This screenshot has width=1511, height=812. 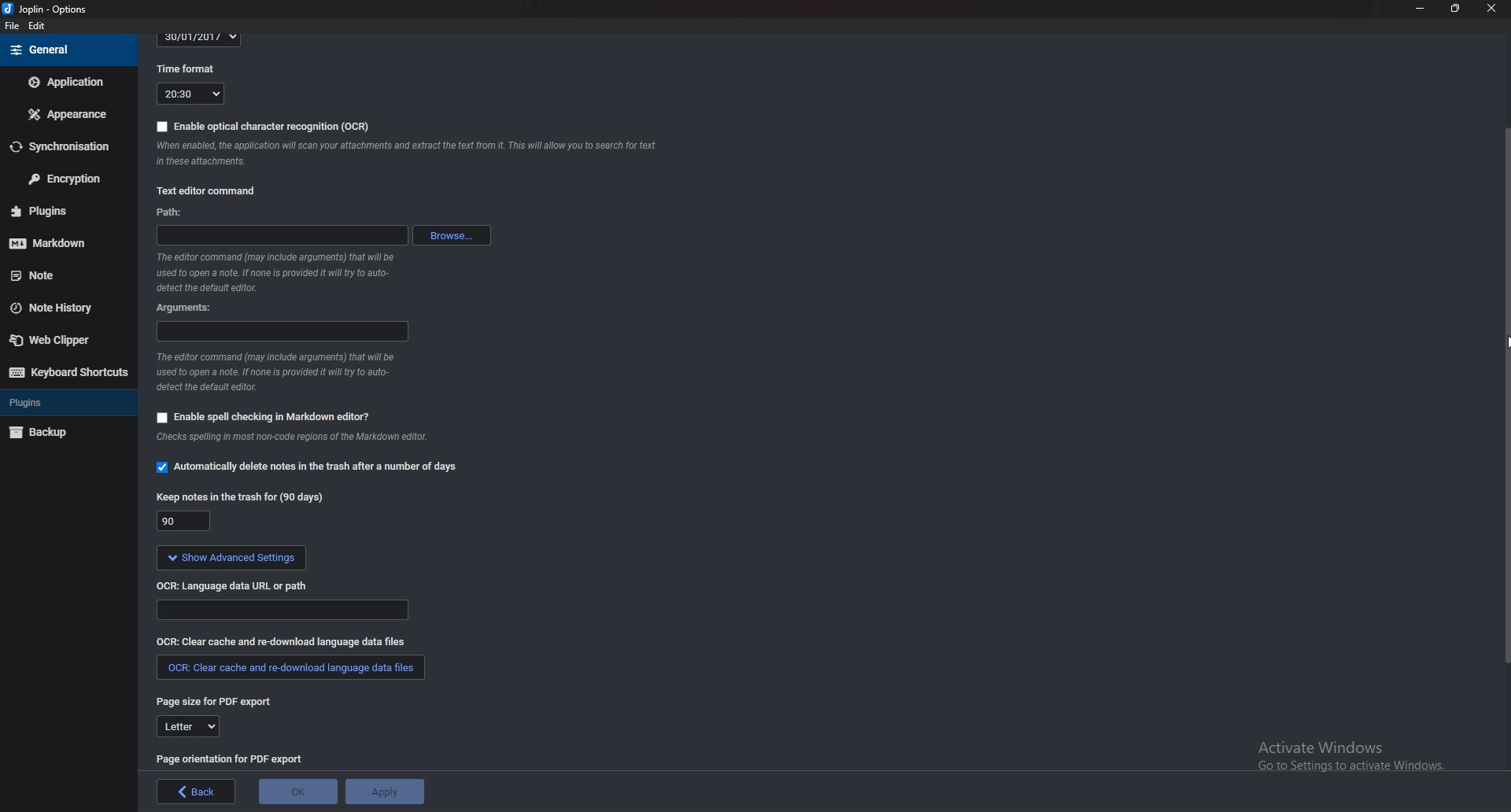 I want to click on Automatically delete notes, so click(x=310, y=465).